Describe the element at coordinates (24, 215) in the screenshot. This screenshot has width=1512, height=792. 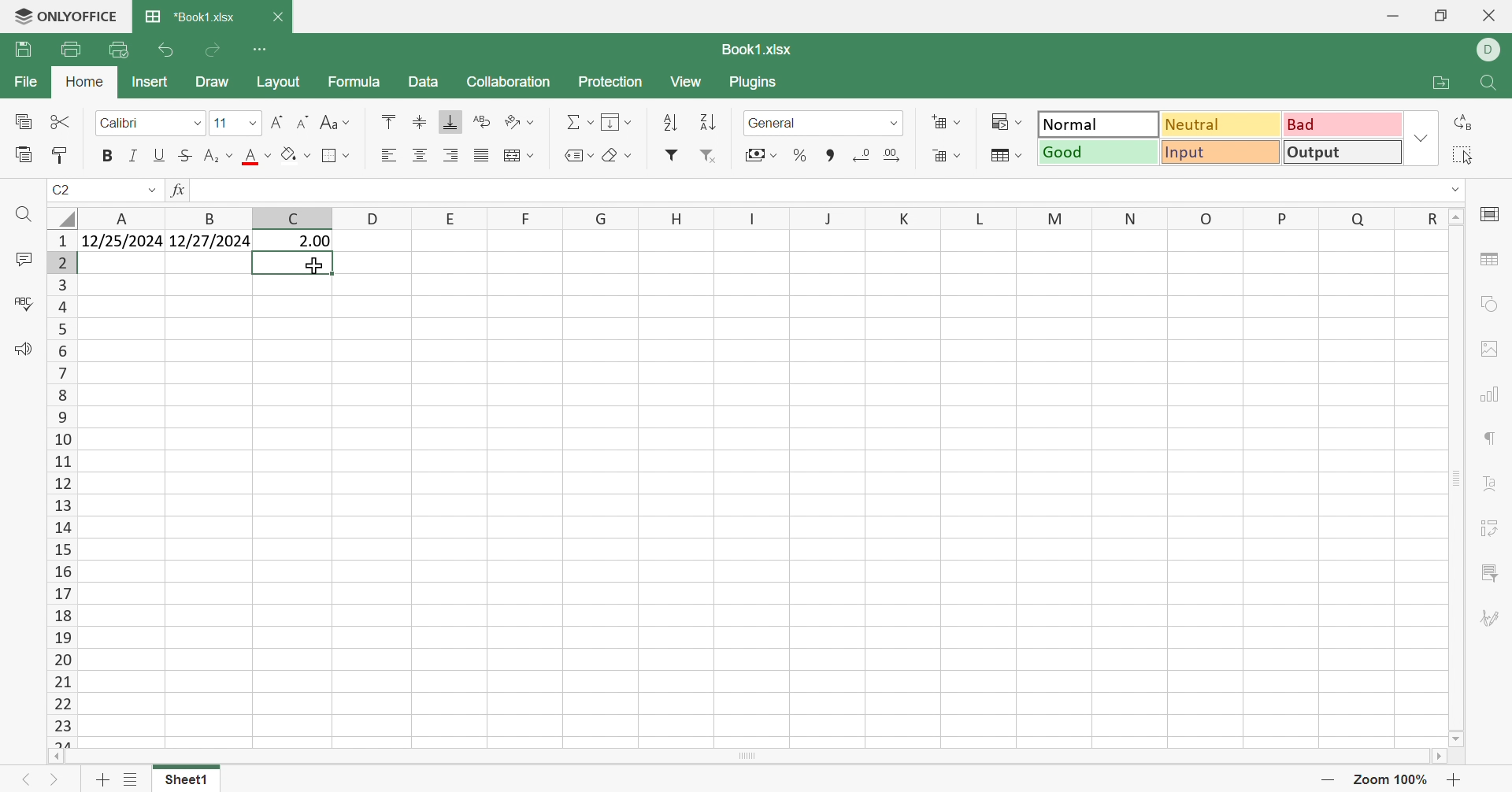
I see `Find` at that location.